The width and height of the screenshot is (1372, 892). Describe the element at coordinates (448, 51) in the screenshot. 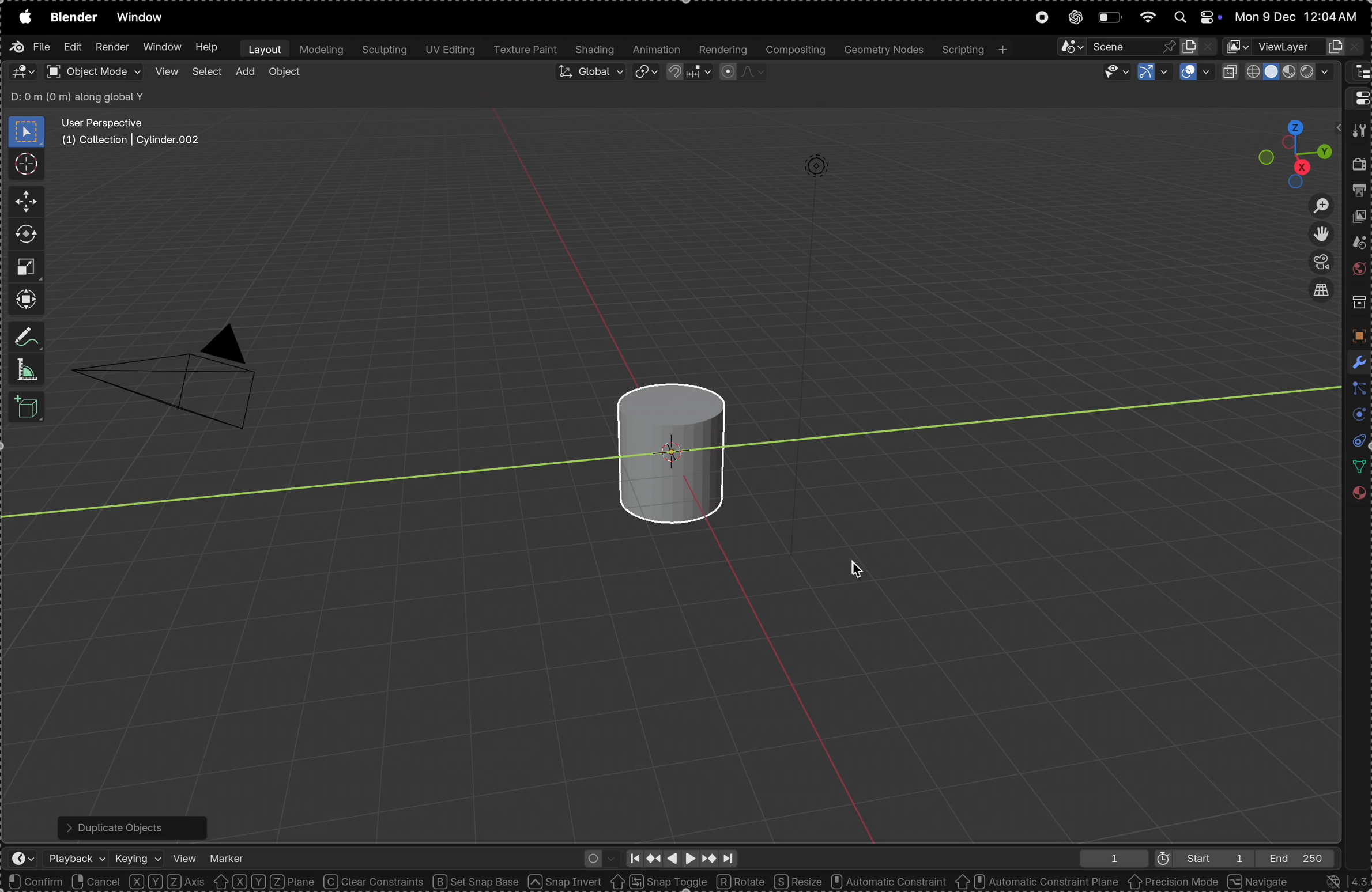

I see `uv editing` at that location.